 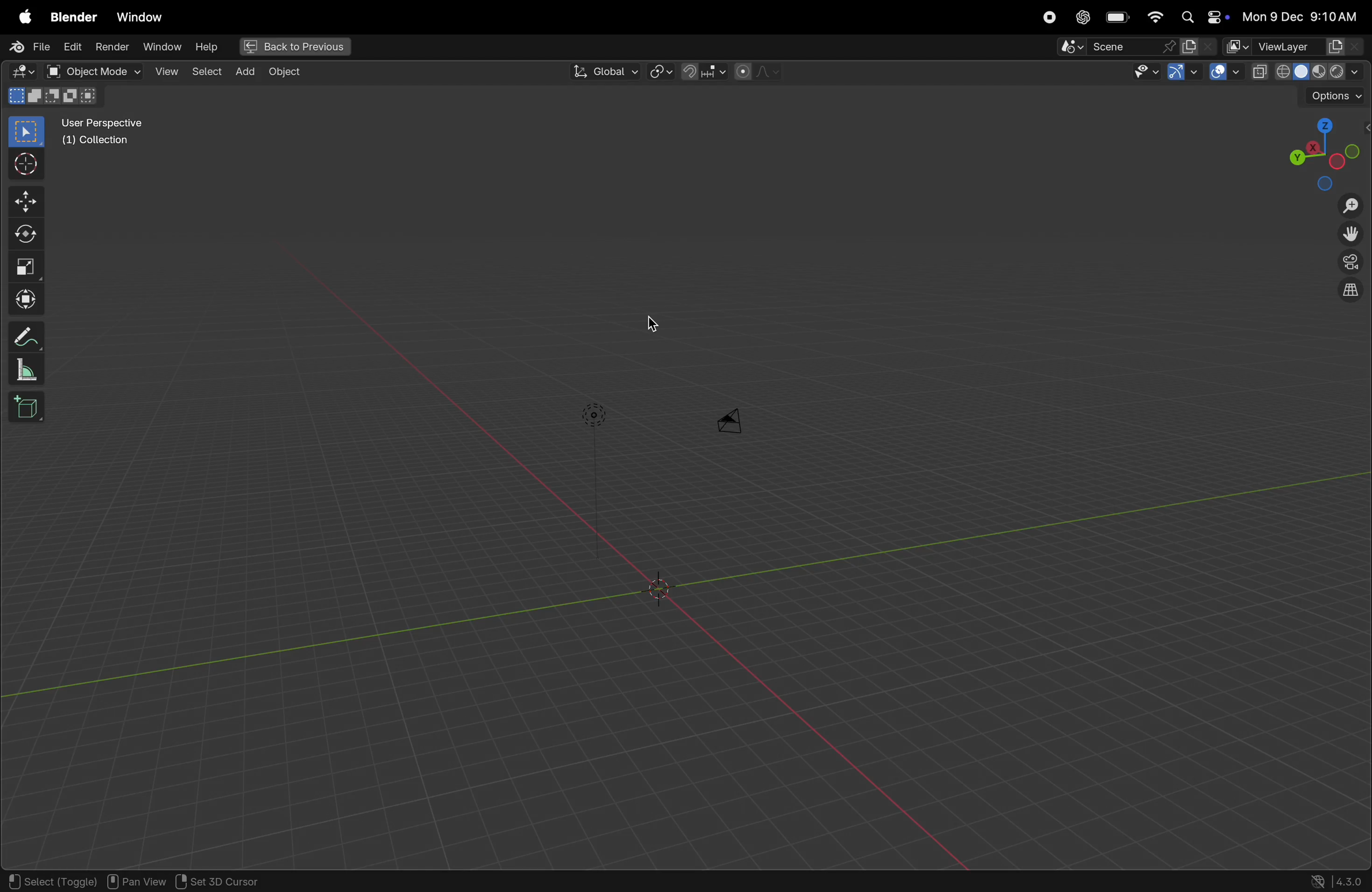 What do you see at coordinates (1335, 97) in the screenshot?
I see `options` at bounding box center [1335, 97].